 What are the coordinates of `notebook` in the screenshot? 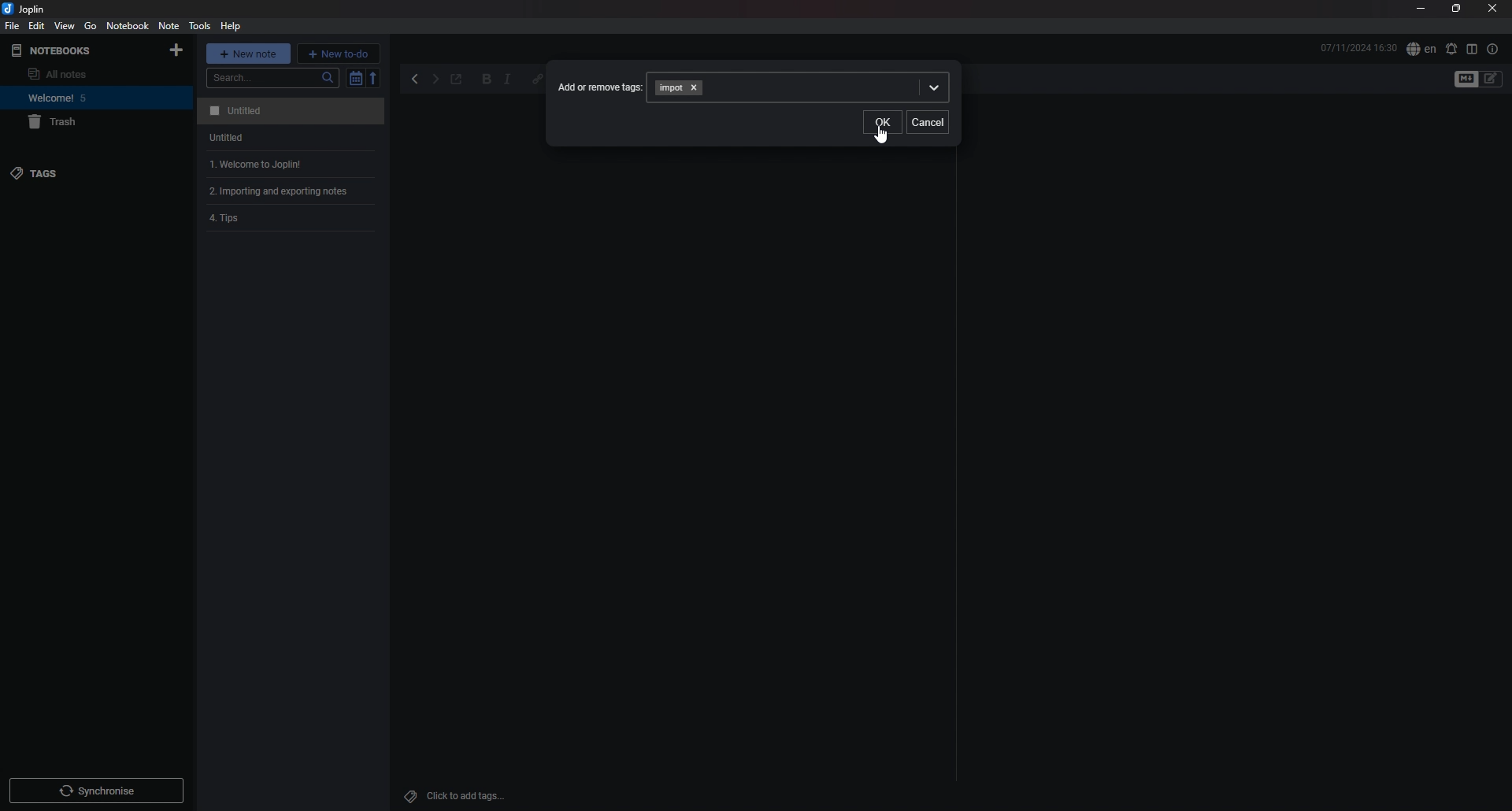 It's located at (80, 98).